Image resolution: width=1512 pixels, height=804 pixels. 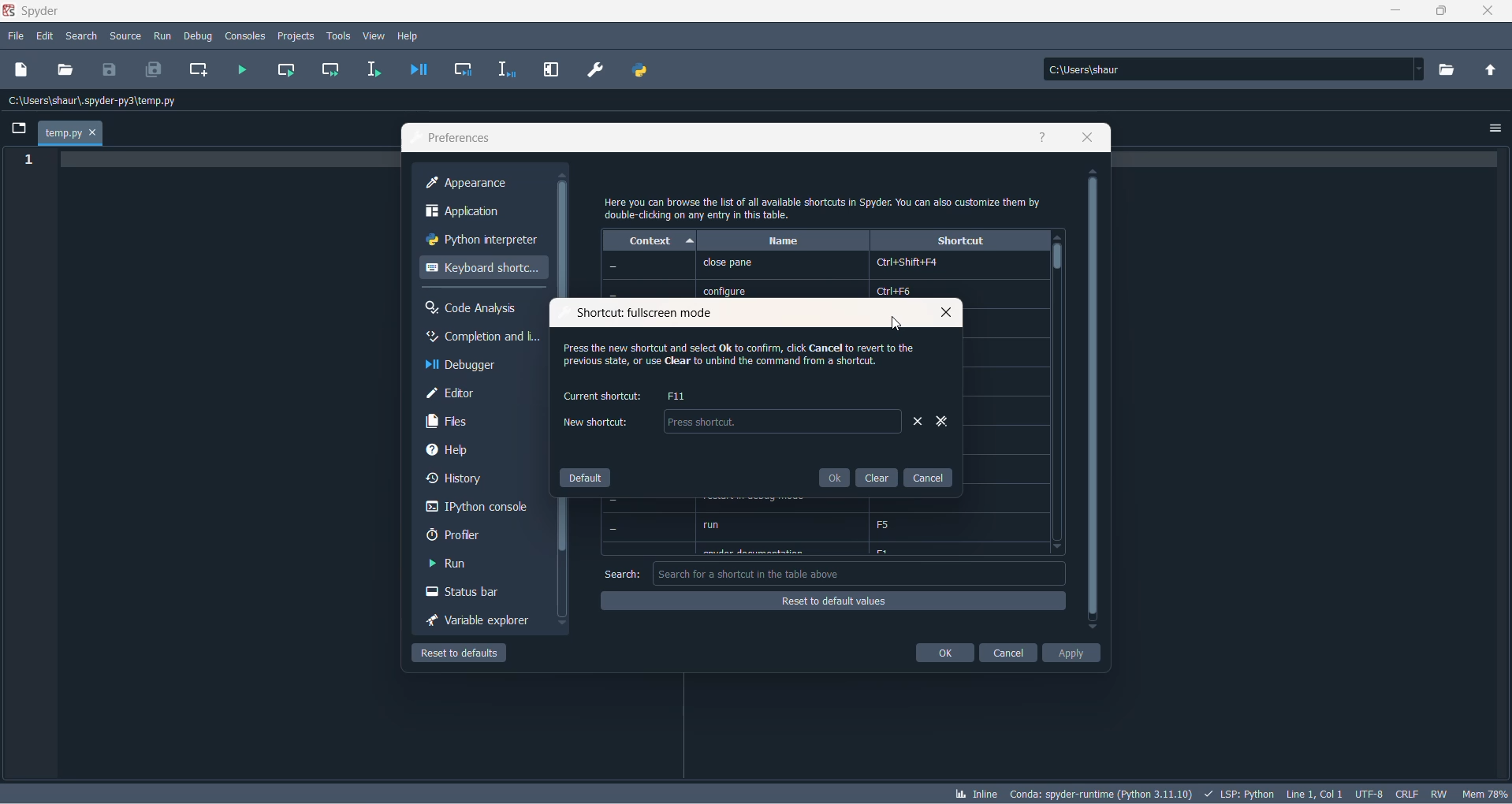 I want to click on run selection, so click(x=371, y=70).